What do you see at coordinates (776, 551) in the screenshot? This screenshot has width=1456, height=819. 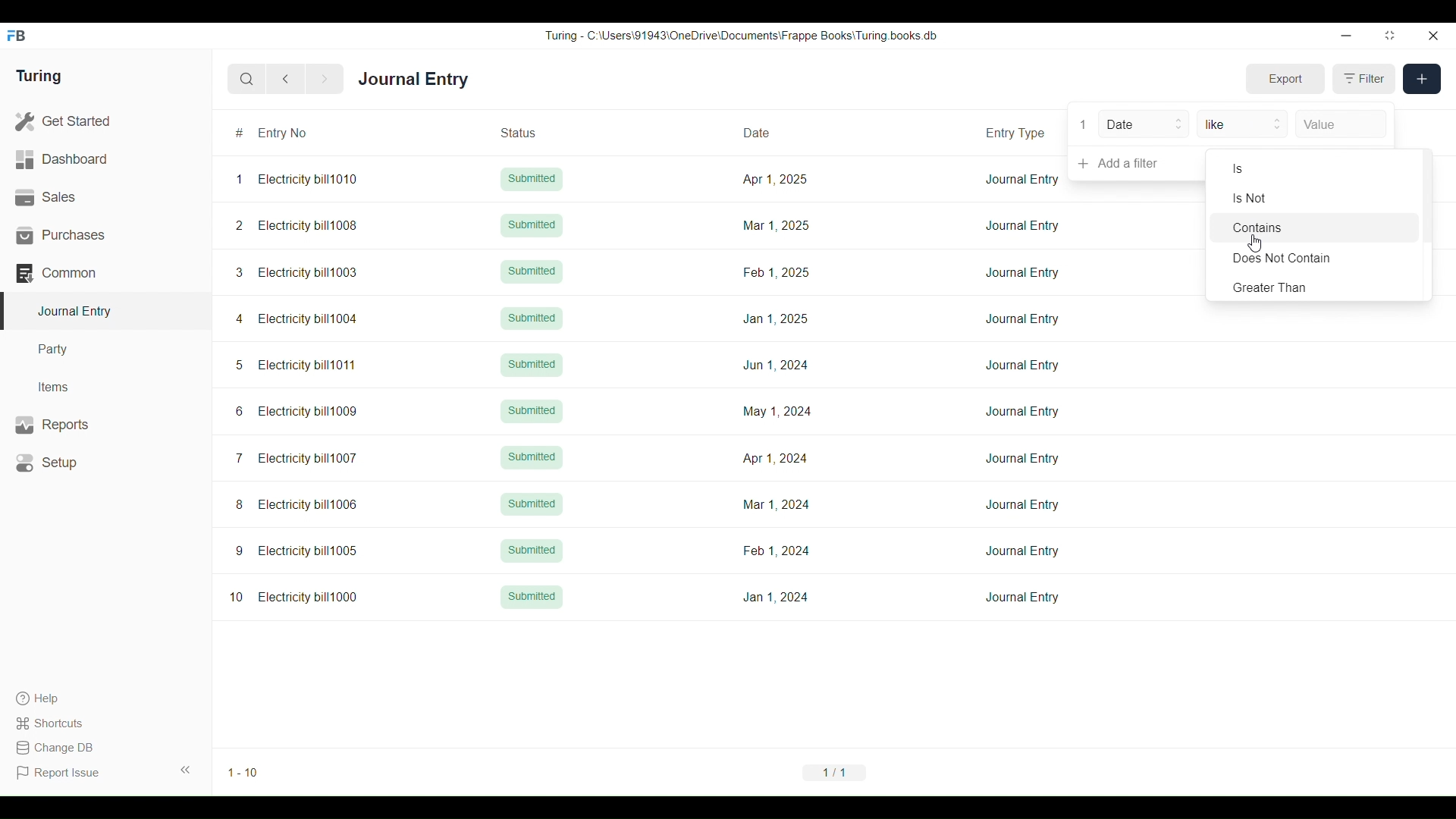 I see `Feb 1,2024` at bounding box center [776, 551].